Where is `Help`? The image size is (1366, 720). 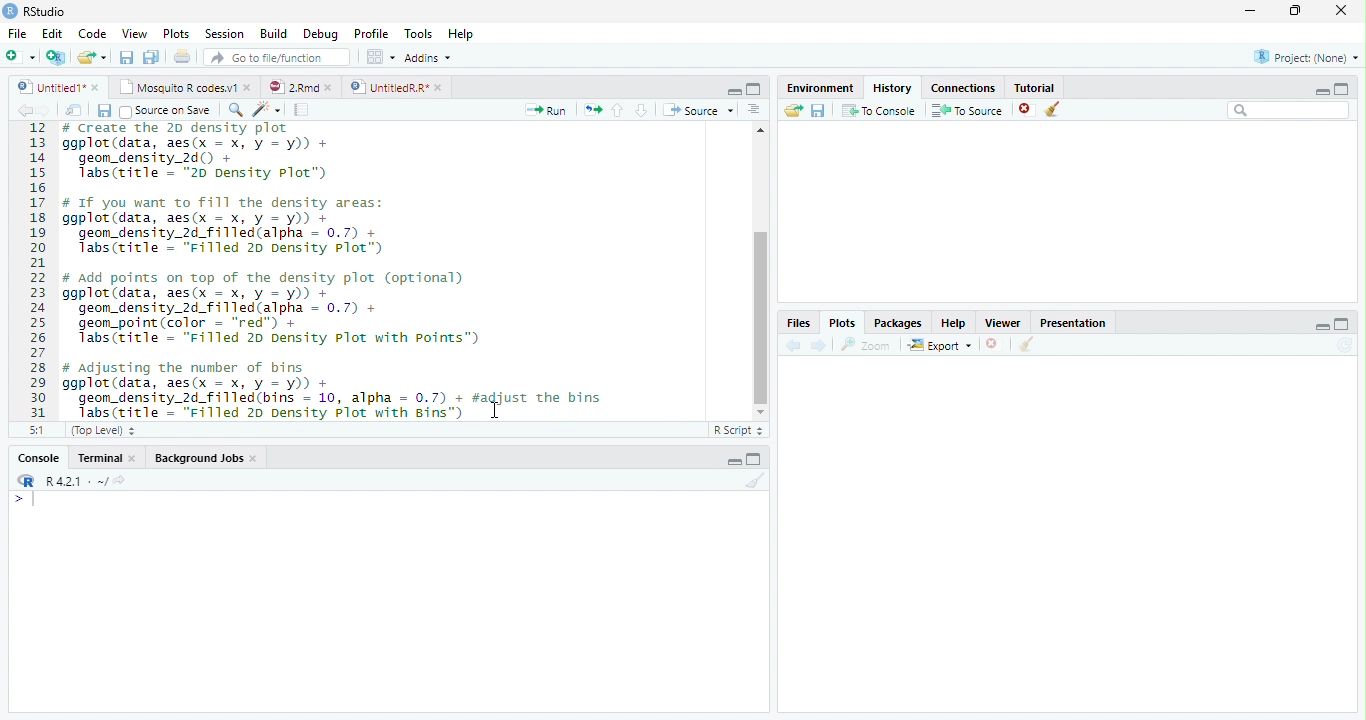
Help is located at coordinates (460, 35).